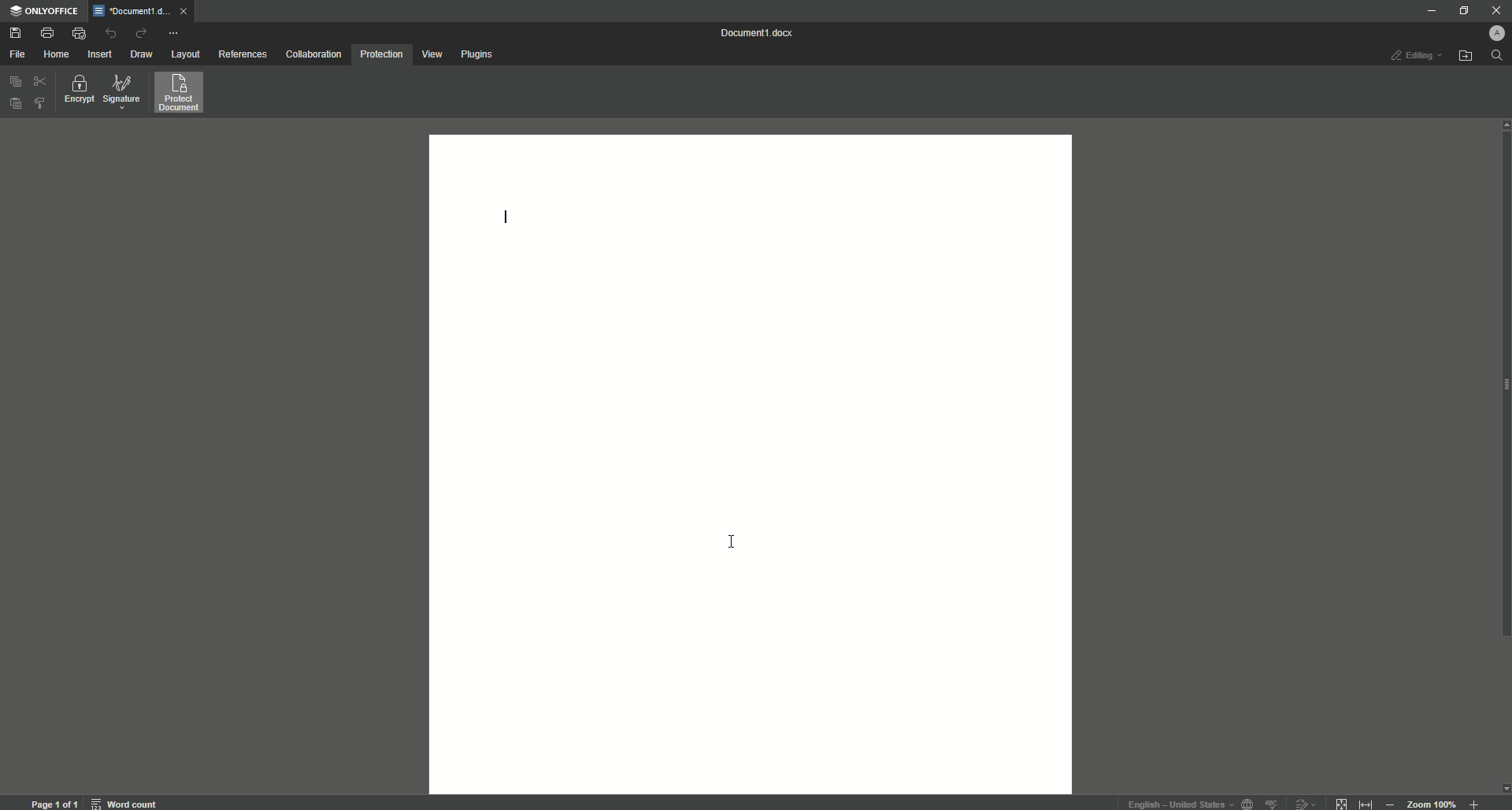 The width and height of the screenshot is (1512, 810). I want to click on fit to width, so click(1364, 803).